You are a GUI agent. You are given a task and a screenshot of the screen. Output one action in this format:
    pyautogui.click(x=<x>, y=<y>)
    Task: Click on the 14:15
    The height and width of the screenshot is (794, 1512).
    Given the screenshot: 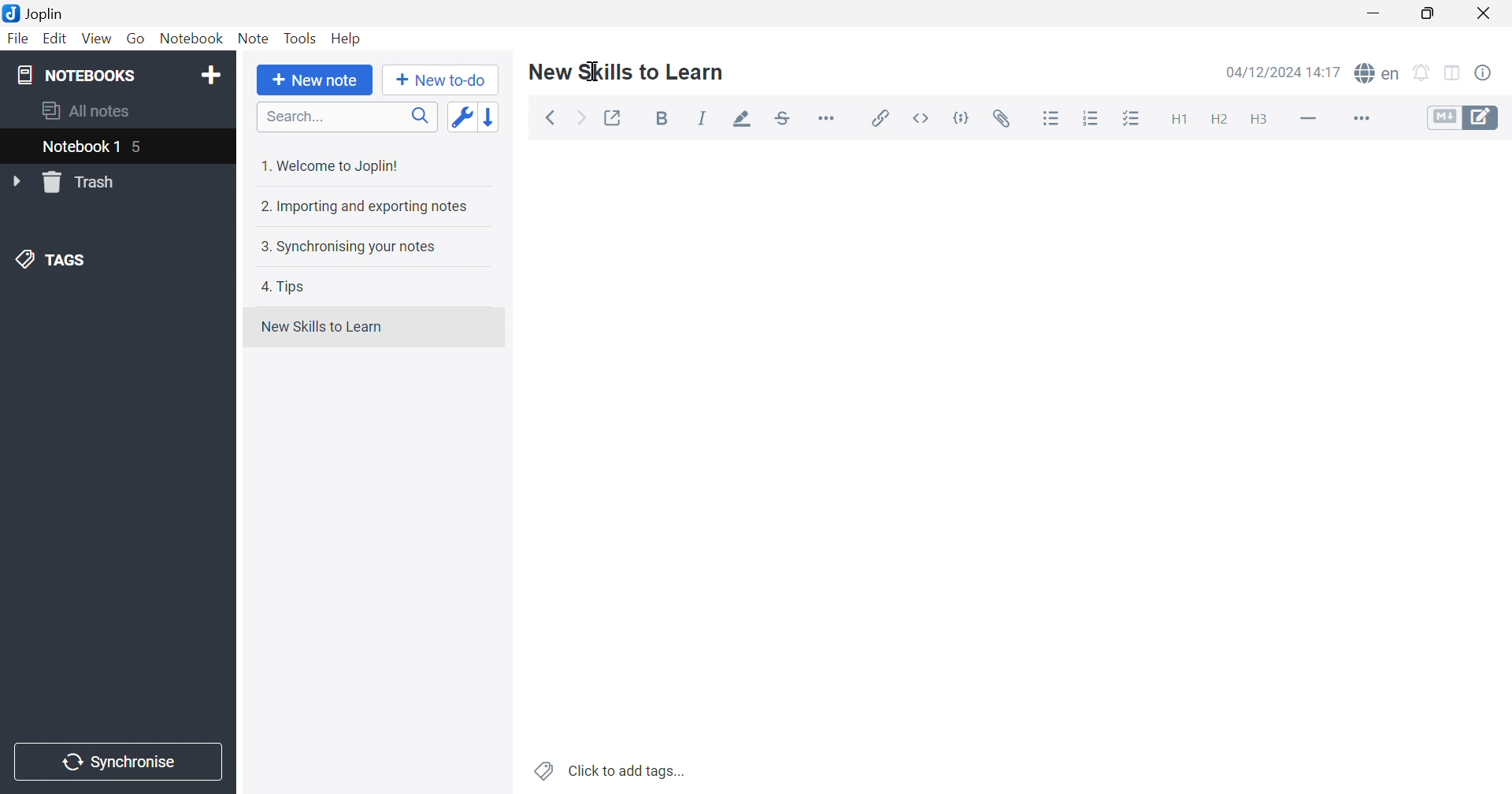 What is the action you would take?
    pyautogui.click(x=1329, y=72)
    